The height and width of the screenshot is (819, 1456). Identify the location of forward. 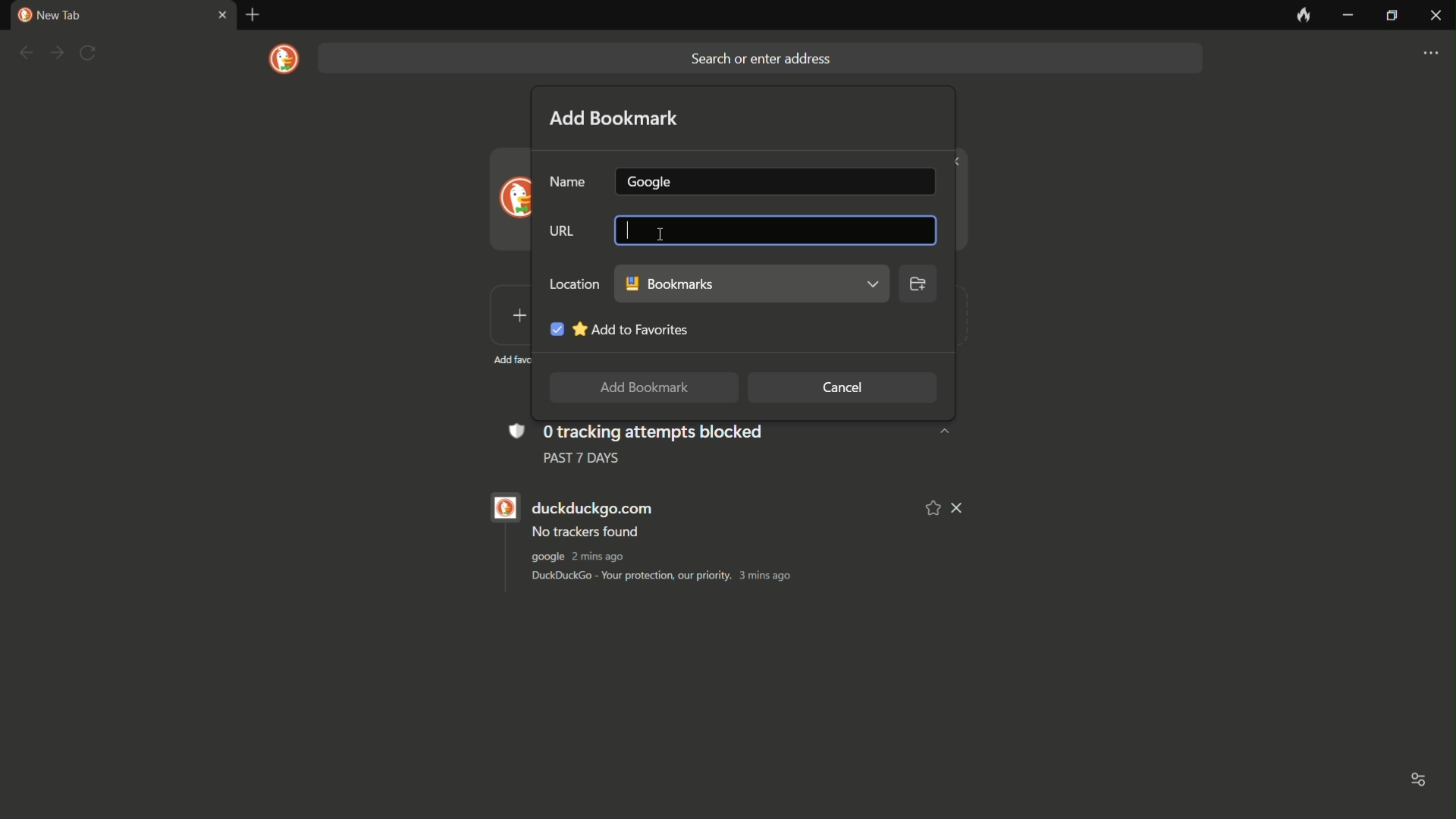
(56, 54).